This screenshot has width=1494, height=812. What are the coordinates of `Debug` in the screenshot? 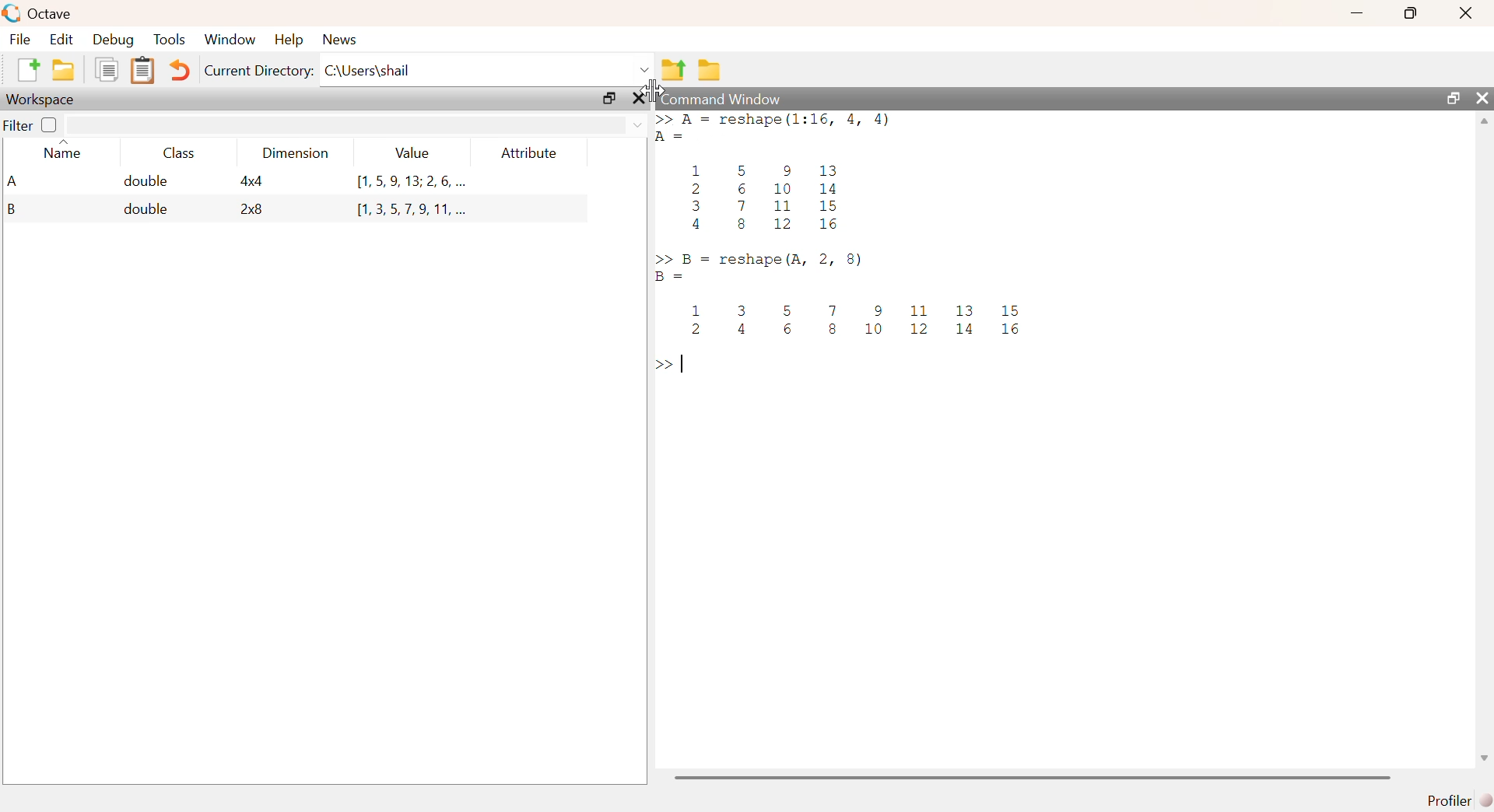 It's located at (113, 40).